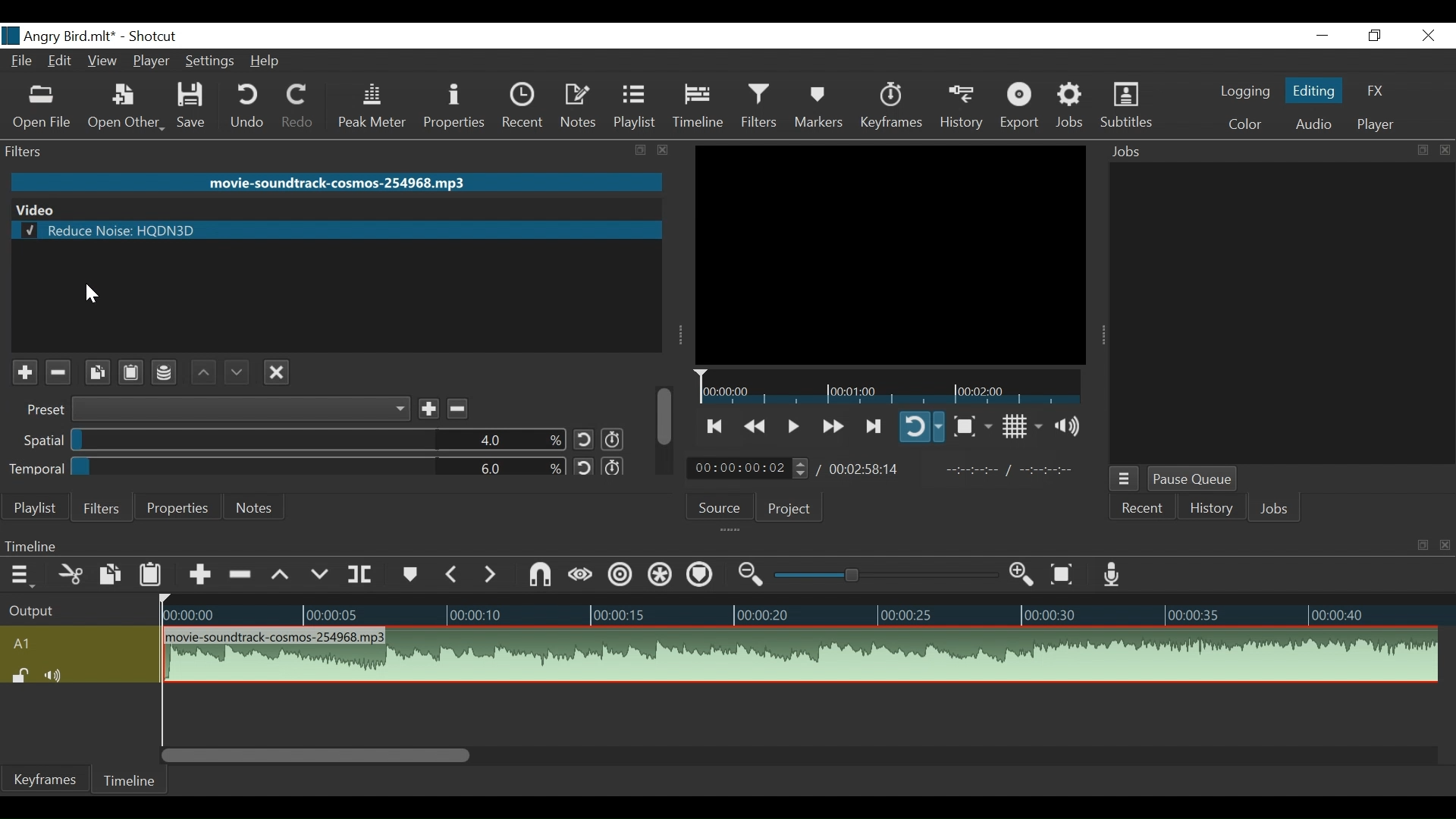  Describe the element at coordinates (585, 470) in the screenshot. I see `Reset Default` at that location.